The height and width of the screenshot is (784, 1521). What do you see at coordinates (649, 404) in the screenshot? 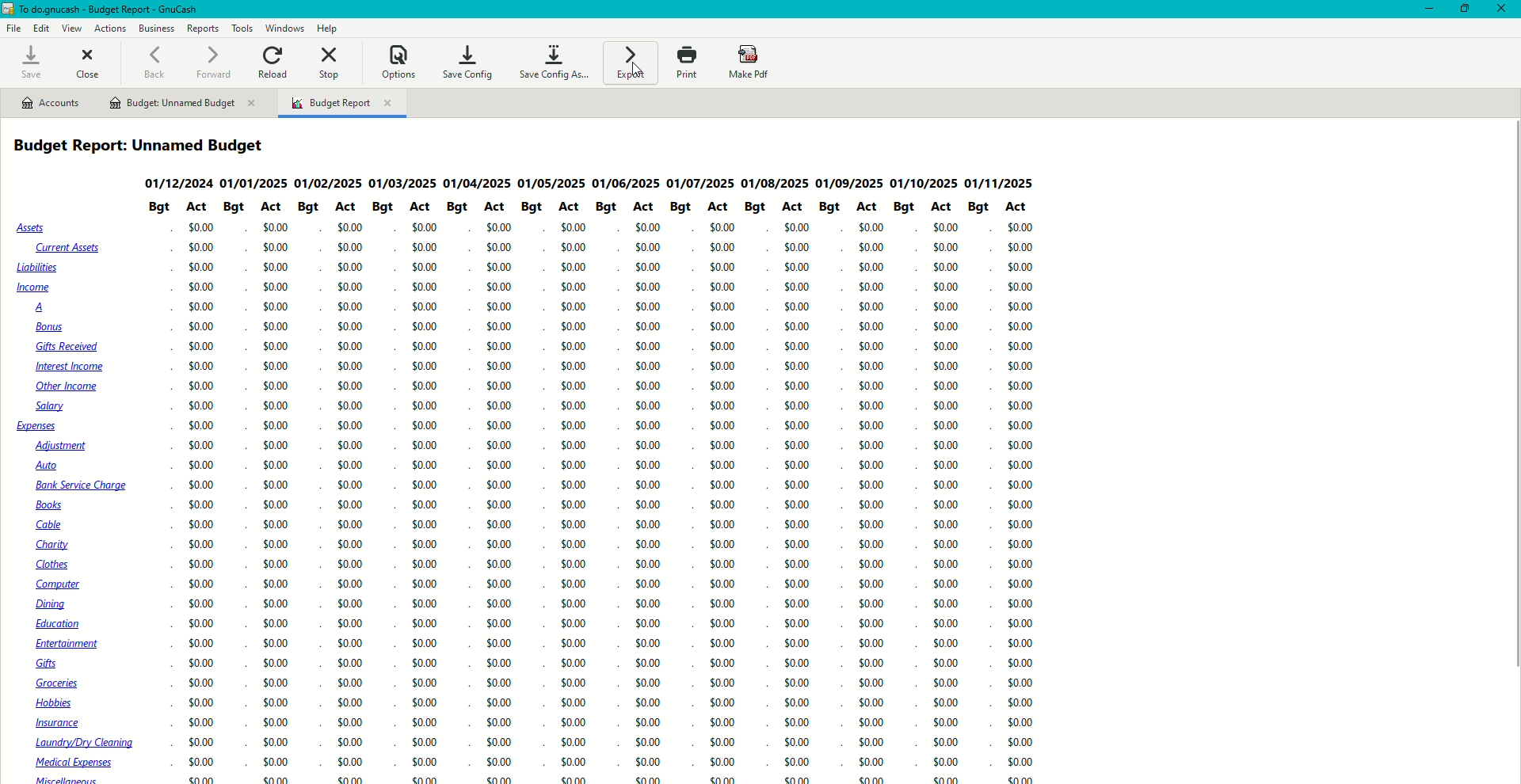
I see `$0.00` at bounding box center [649, 404].